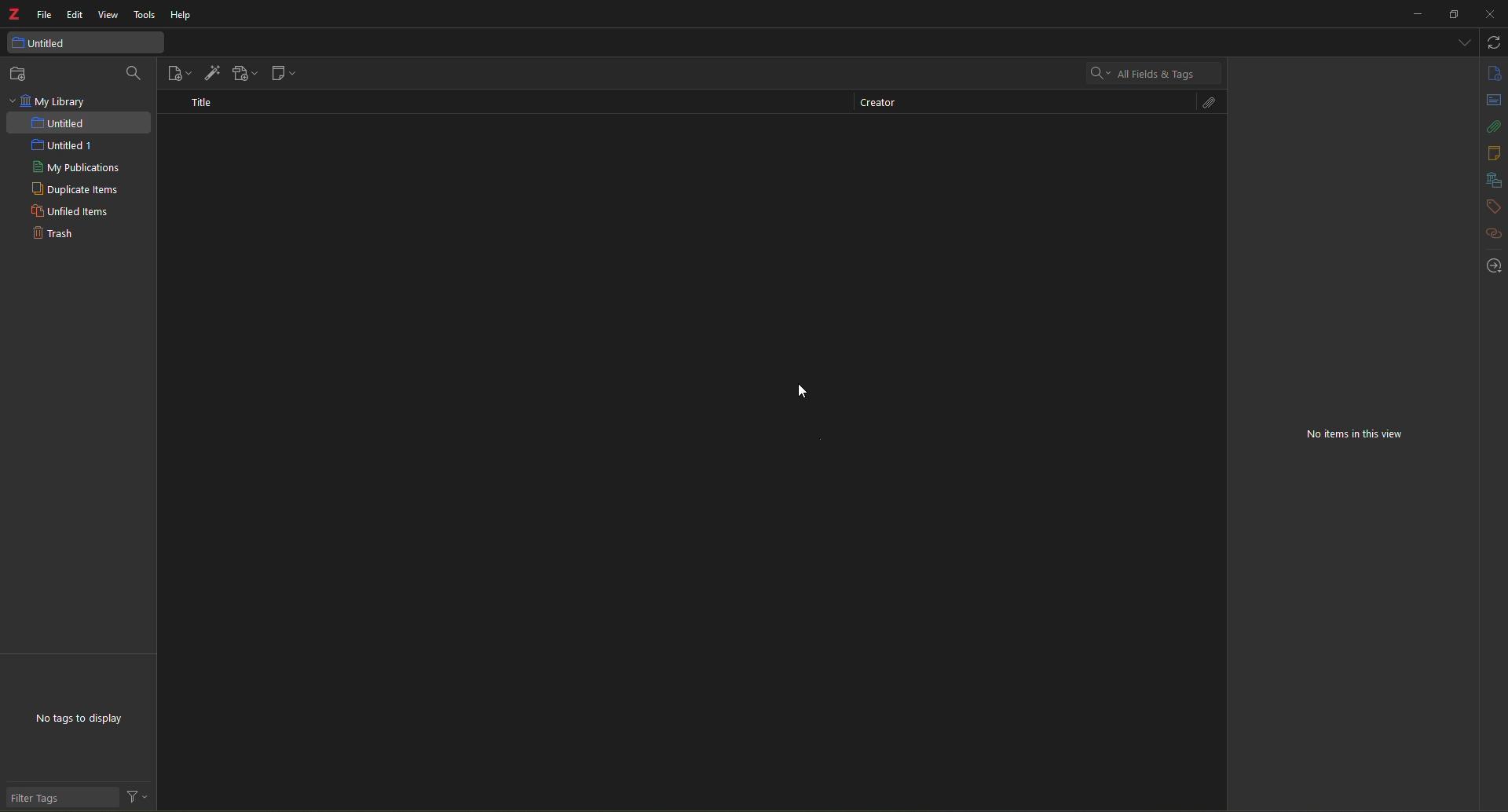 The width and height of the screenshot is (1508, 812). What do you see at coordinates (1492, 234) in the screenshot?
I see `hyperlink` at bounding box center [1492, 234].